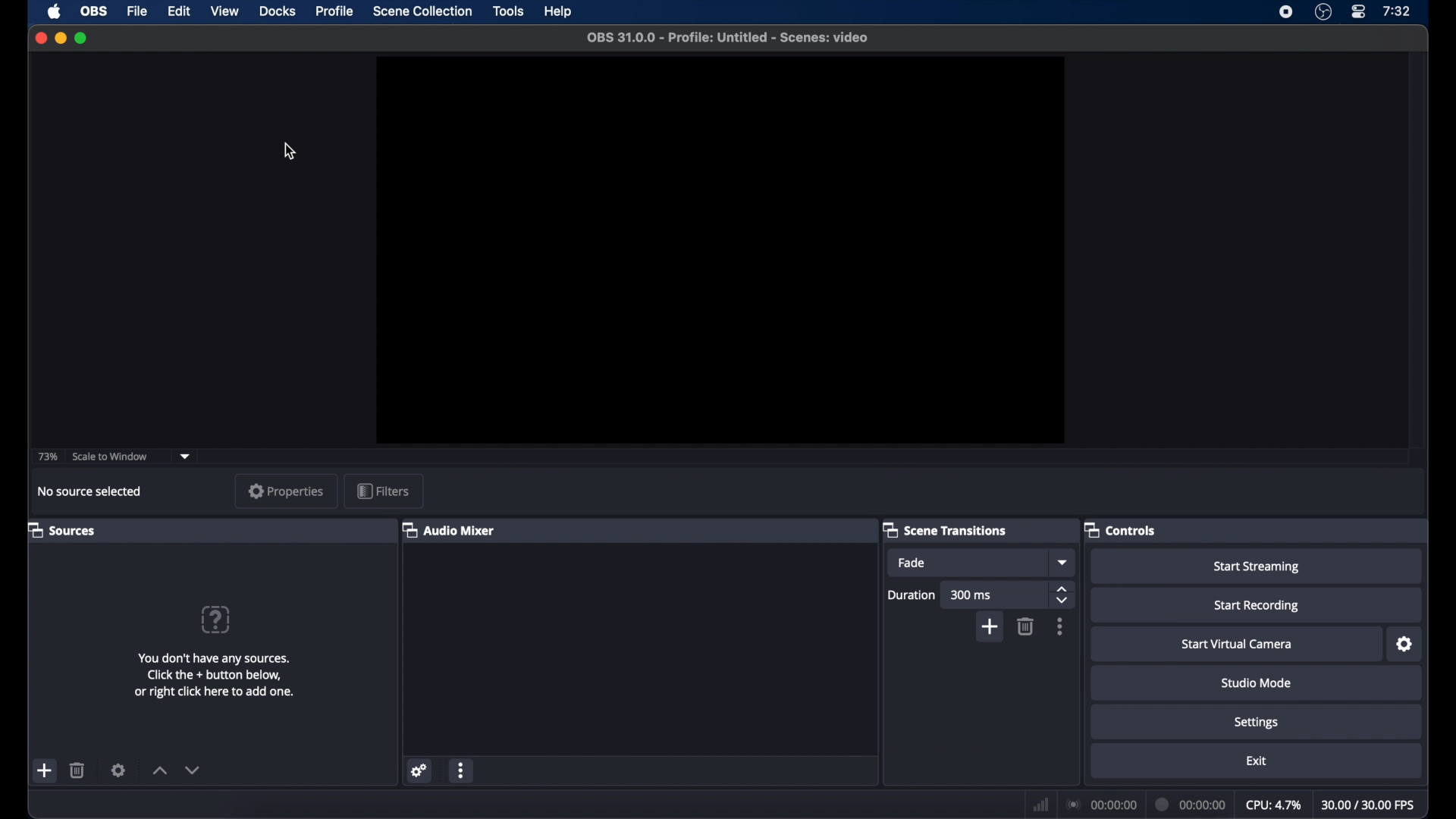 Image resolution: width=1456 pixels, height=819 pixels. What do you see at coordinates (1256, 761) in the screenshot?
I see `exit` at bounding box center [1256, 761].